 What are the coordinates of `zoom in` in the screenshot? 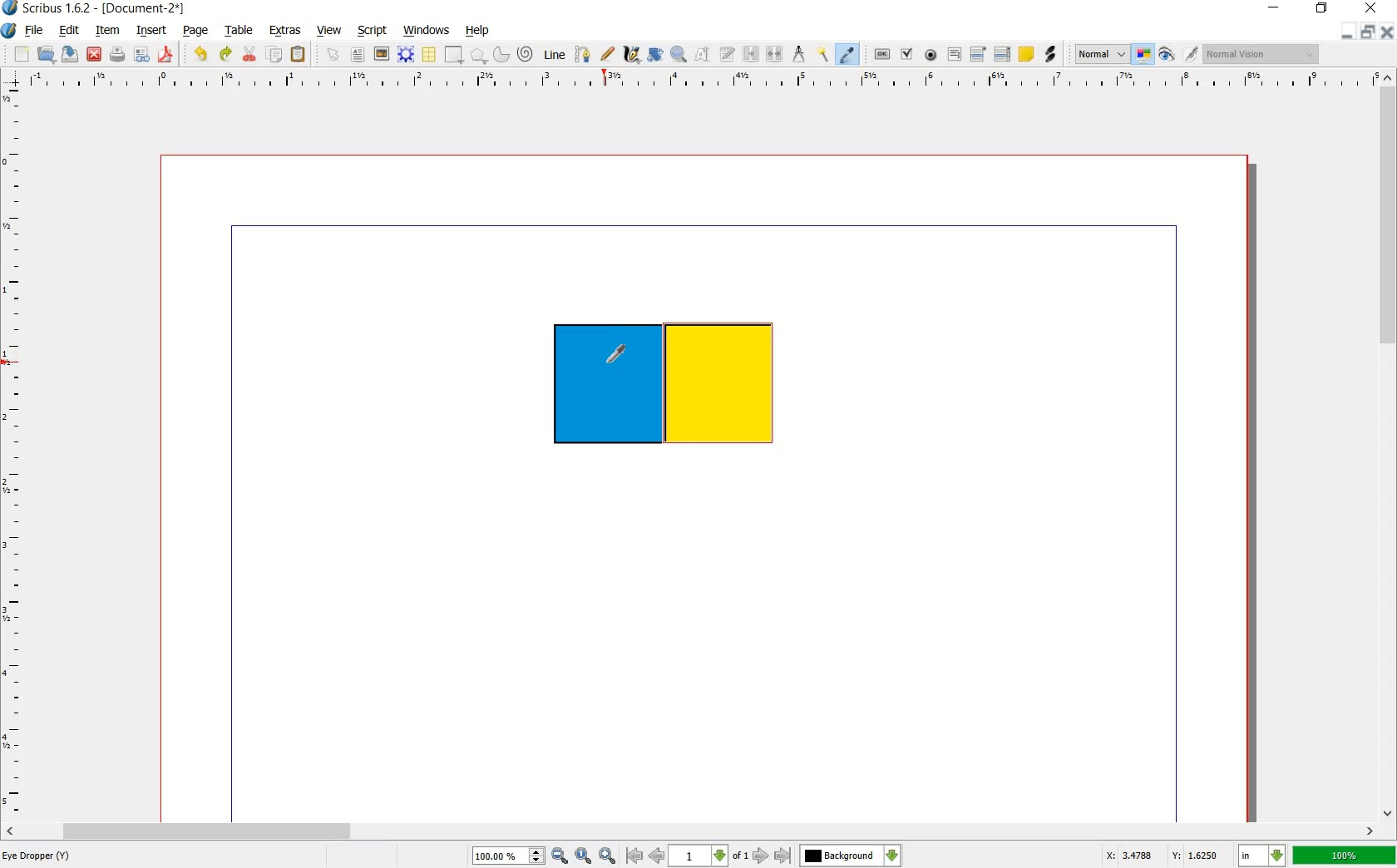 It's located at (606, 855).